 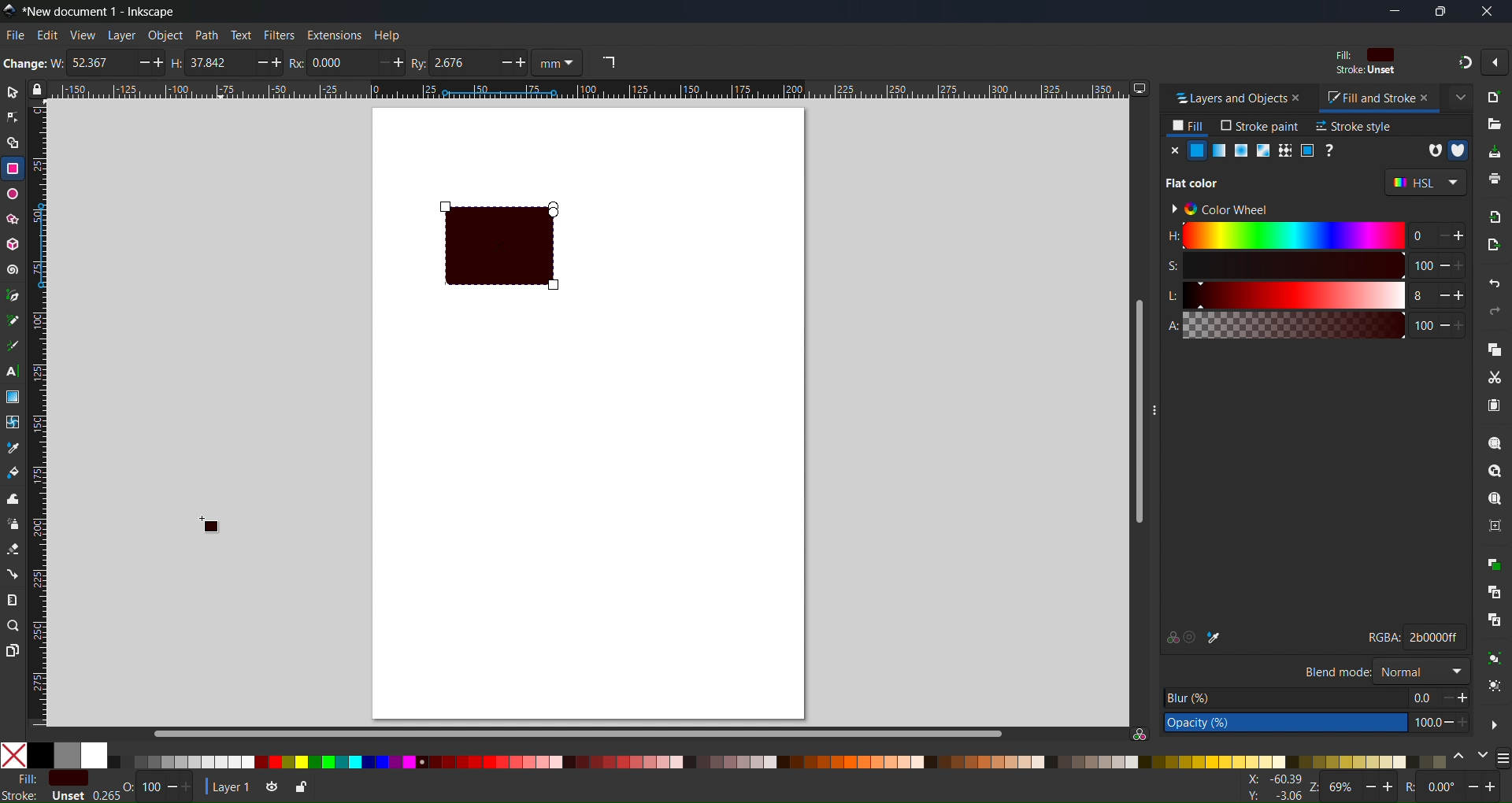 What do you see at coordinates (1354, 126) in the screenshot?
I see `Stroke style` at bounding box center [1354, 126].